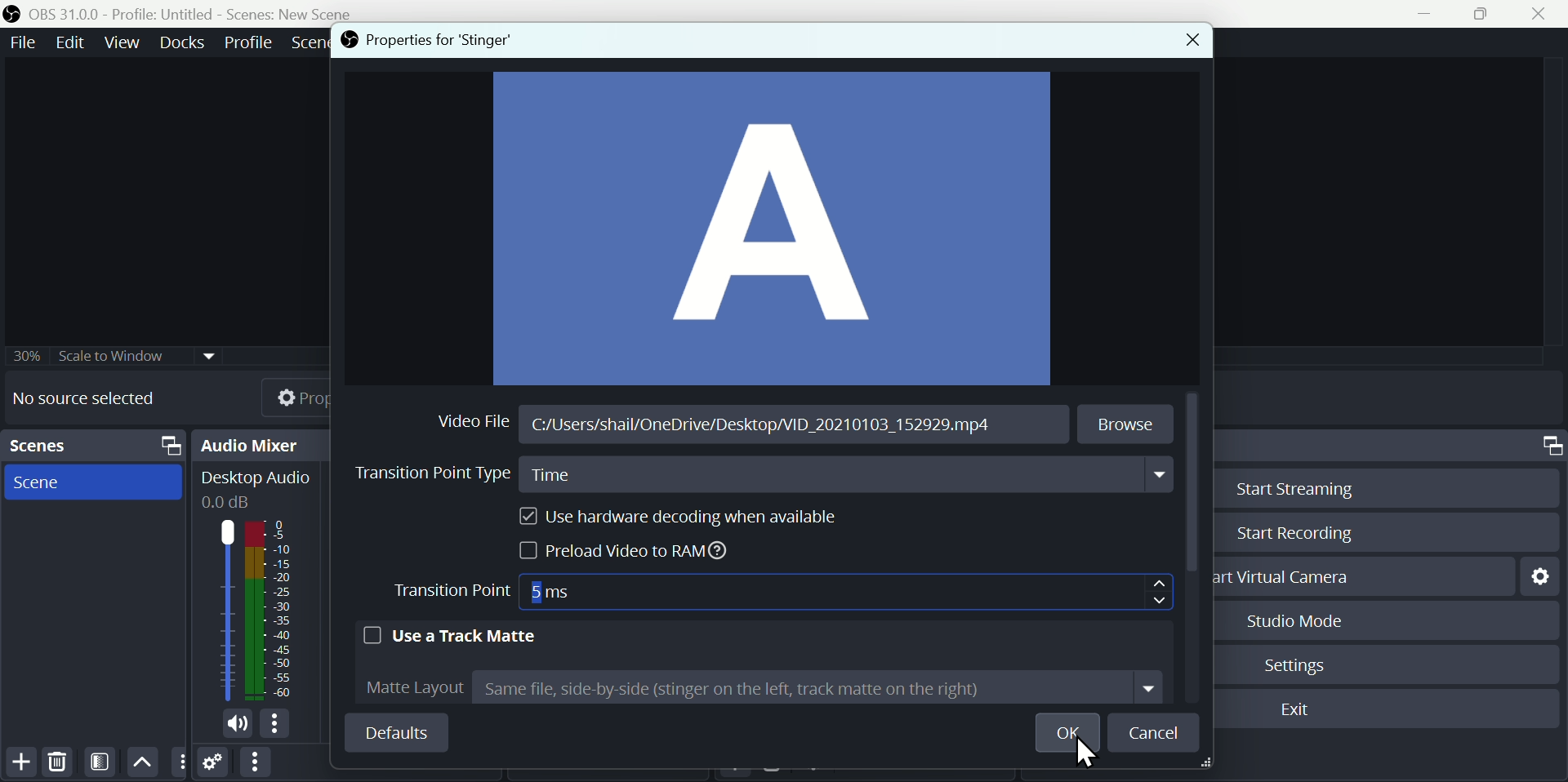 This screenshot has height=782, width=1568. Describe the element at coordinates (185, 42) in the screenshot. I see `` at that location.